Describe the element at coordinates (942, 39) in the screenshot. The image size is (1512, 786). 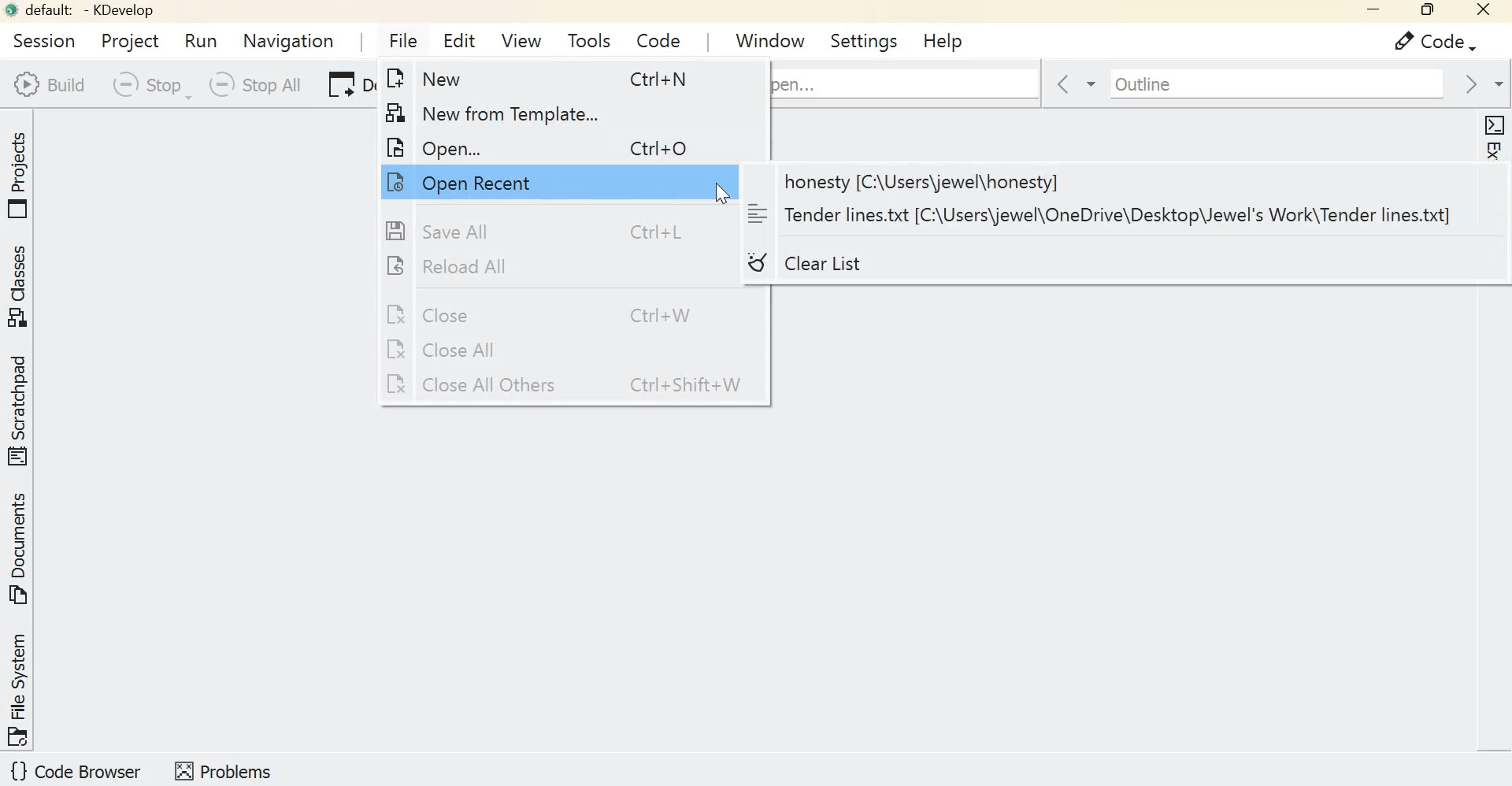
I see `Help` at that location.